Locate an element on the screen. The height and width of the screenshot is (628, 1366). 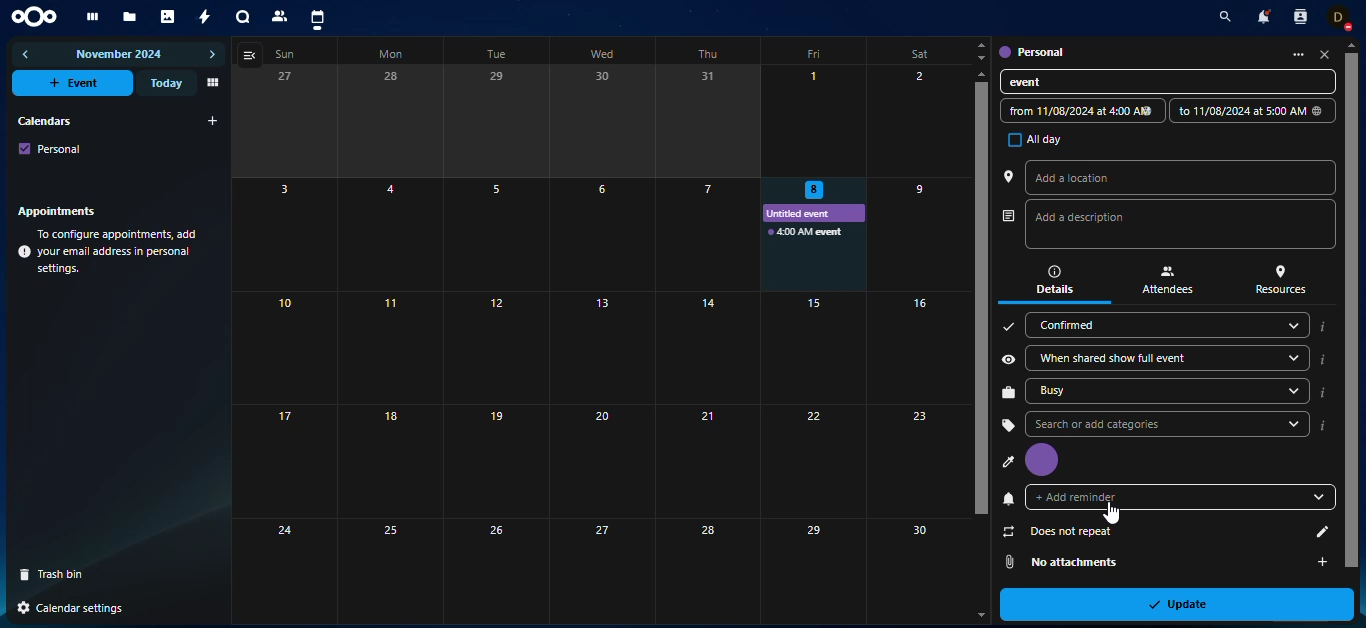
profile is located at coordinates (1042, 460).